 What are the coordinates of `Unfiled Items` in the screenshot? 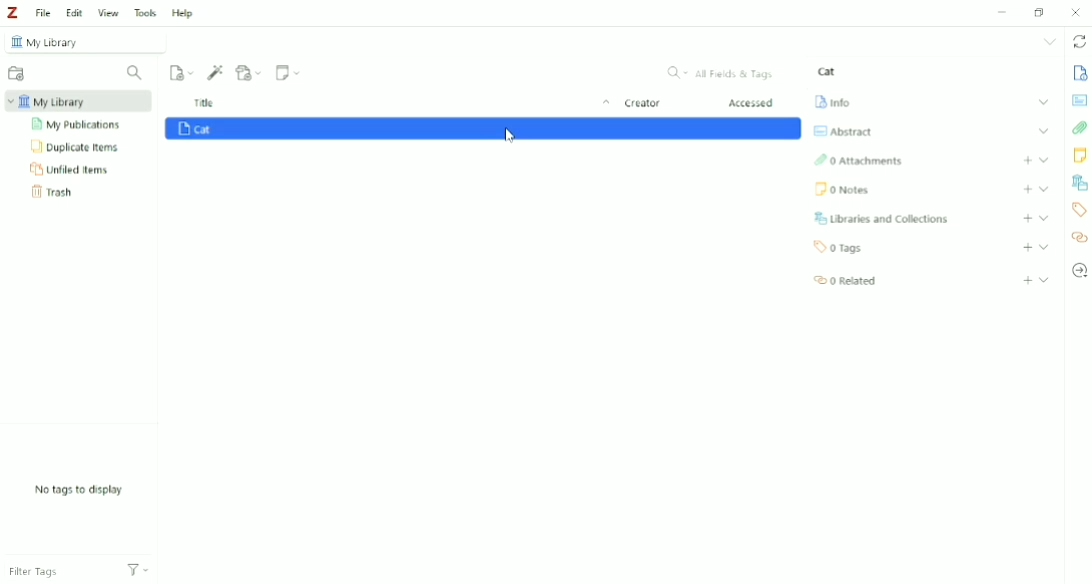 It's located at (71, 168).